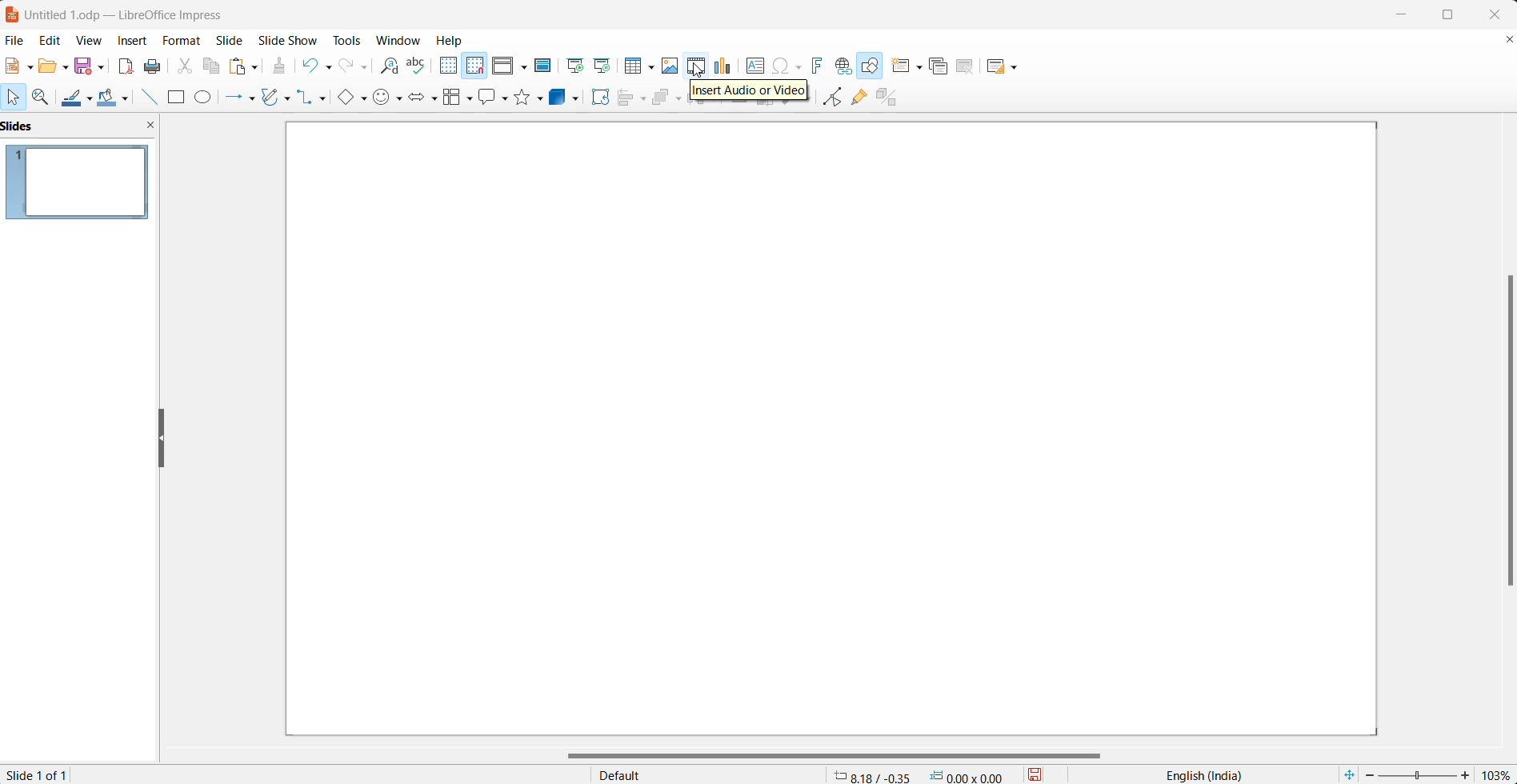  I want to click on display views, so click(502, 67).